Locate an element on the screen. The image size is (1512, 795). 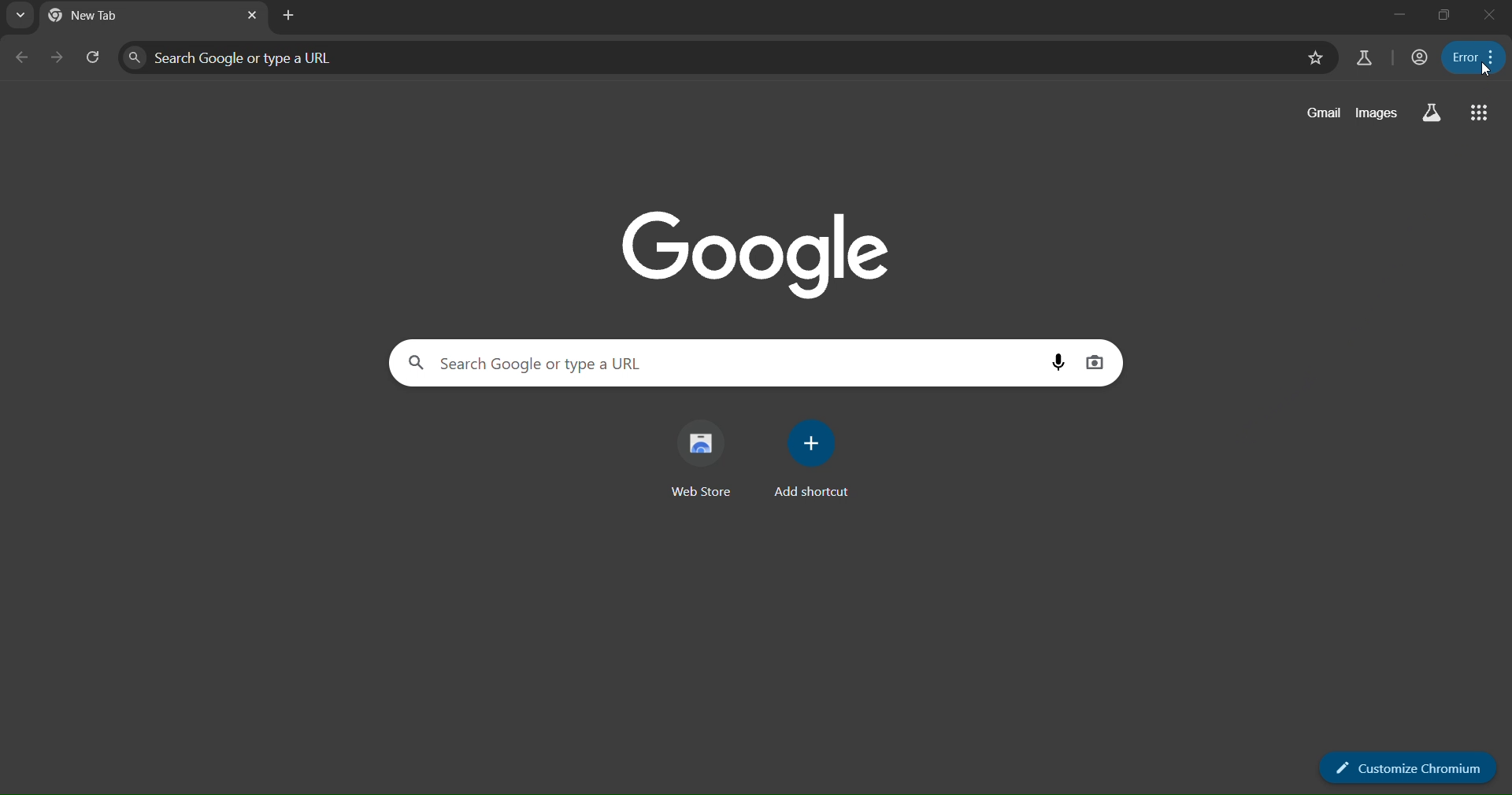
reload is located at coordinates (94, 54).